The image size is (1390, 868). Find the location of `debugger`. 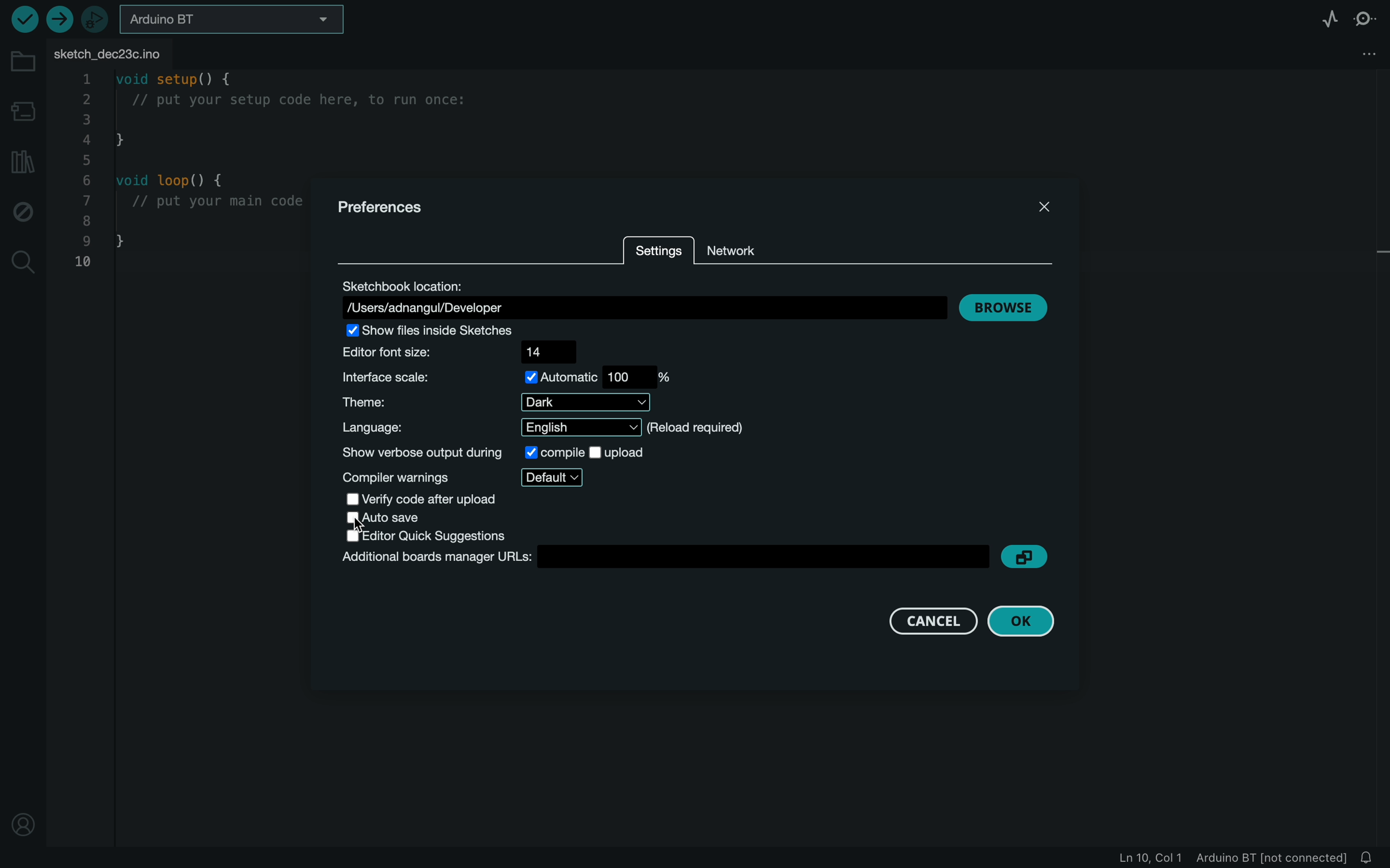

debugger is located at coordinates (96, 20).